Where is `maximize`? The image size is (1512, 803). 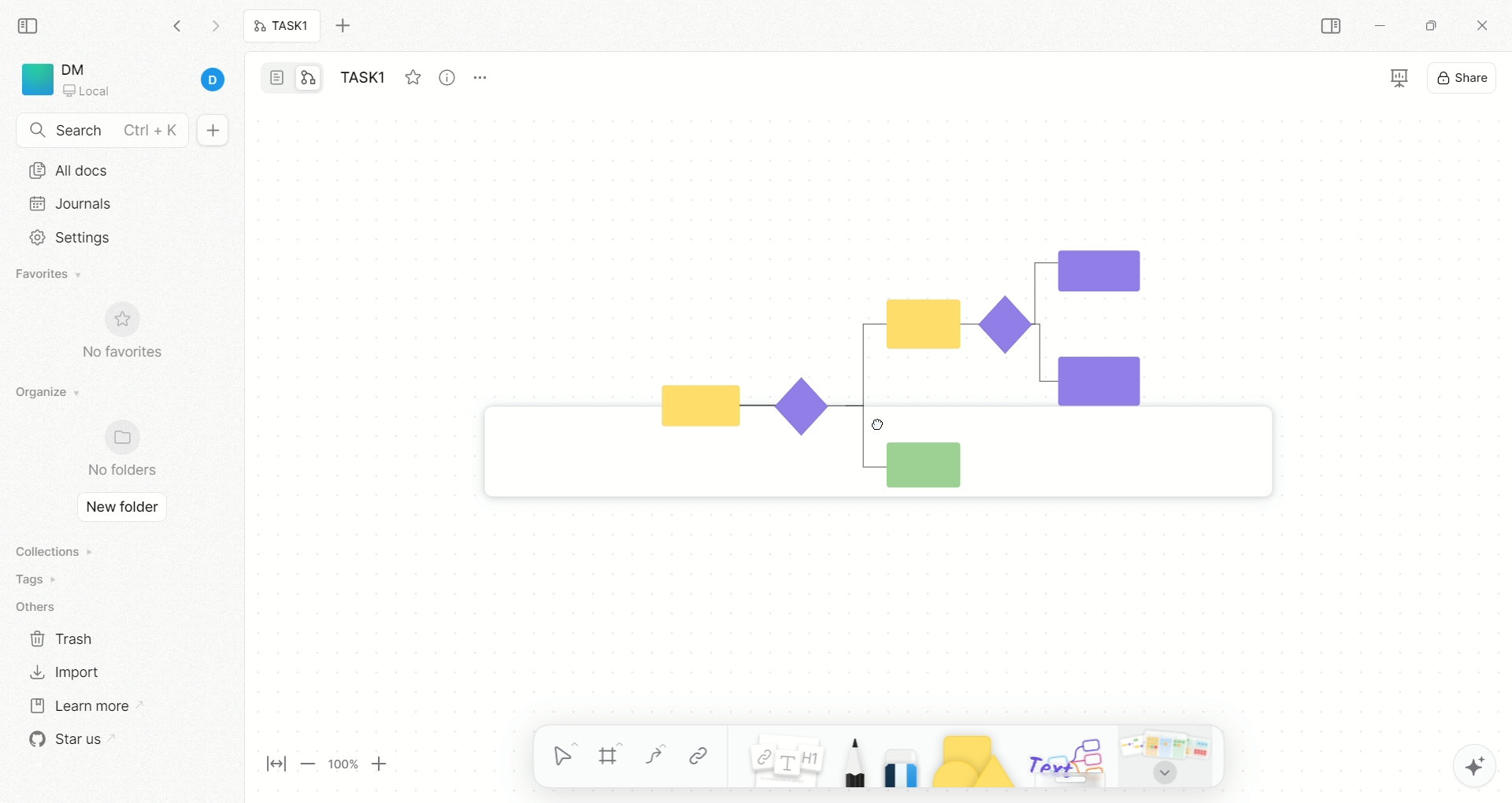
maximize is located at coordinates (1426, 24).